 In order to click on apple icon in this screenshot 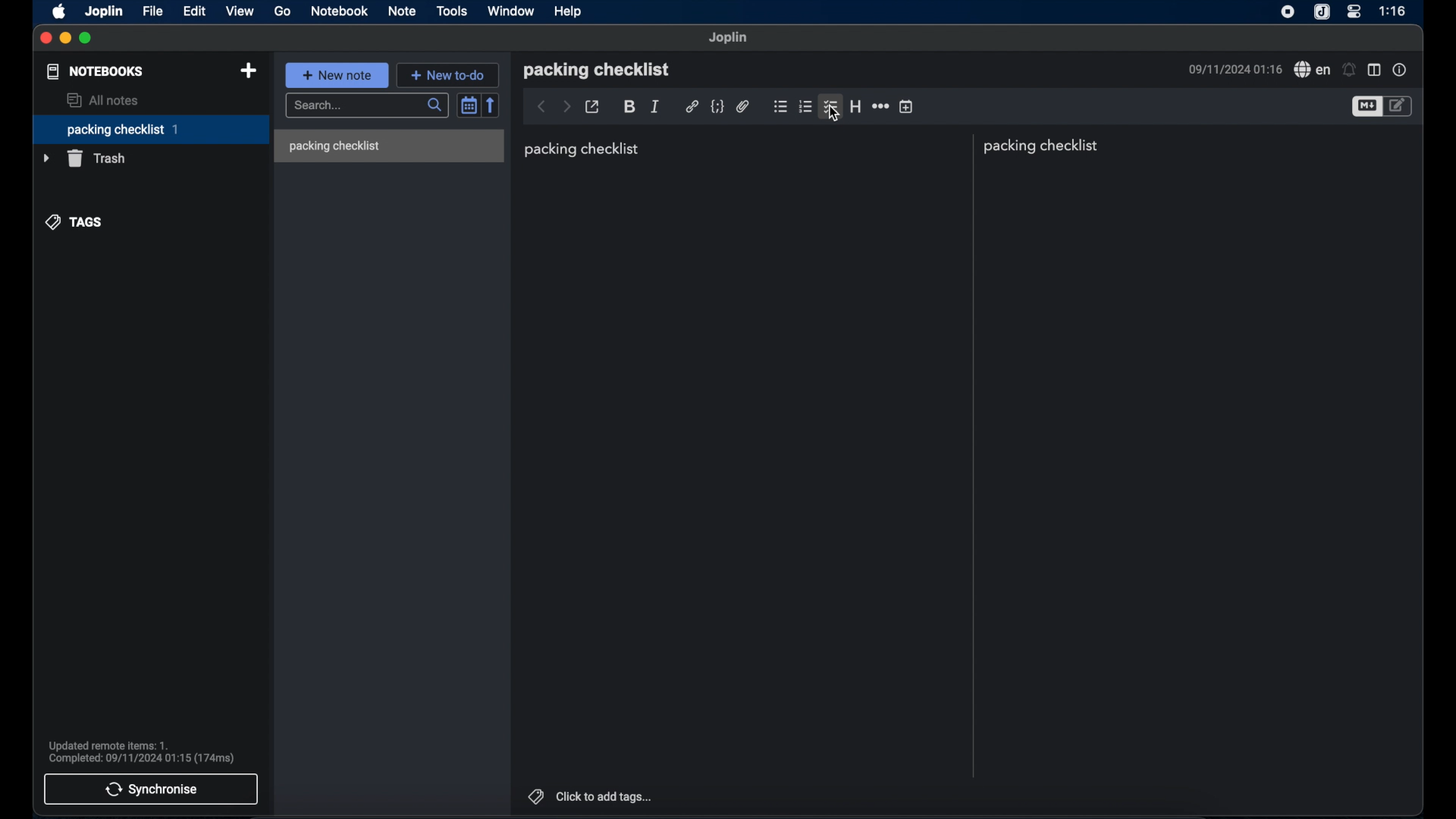, I will do `click(58, 12)`.